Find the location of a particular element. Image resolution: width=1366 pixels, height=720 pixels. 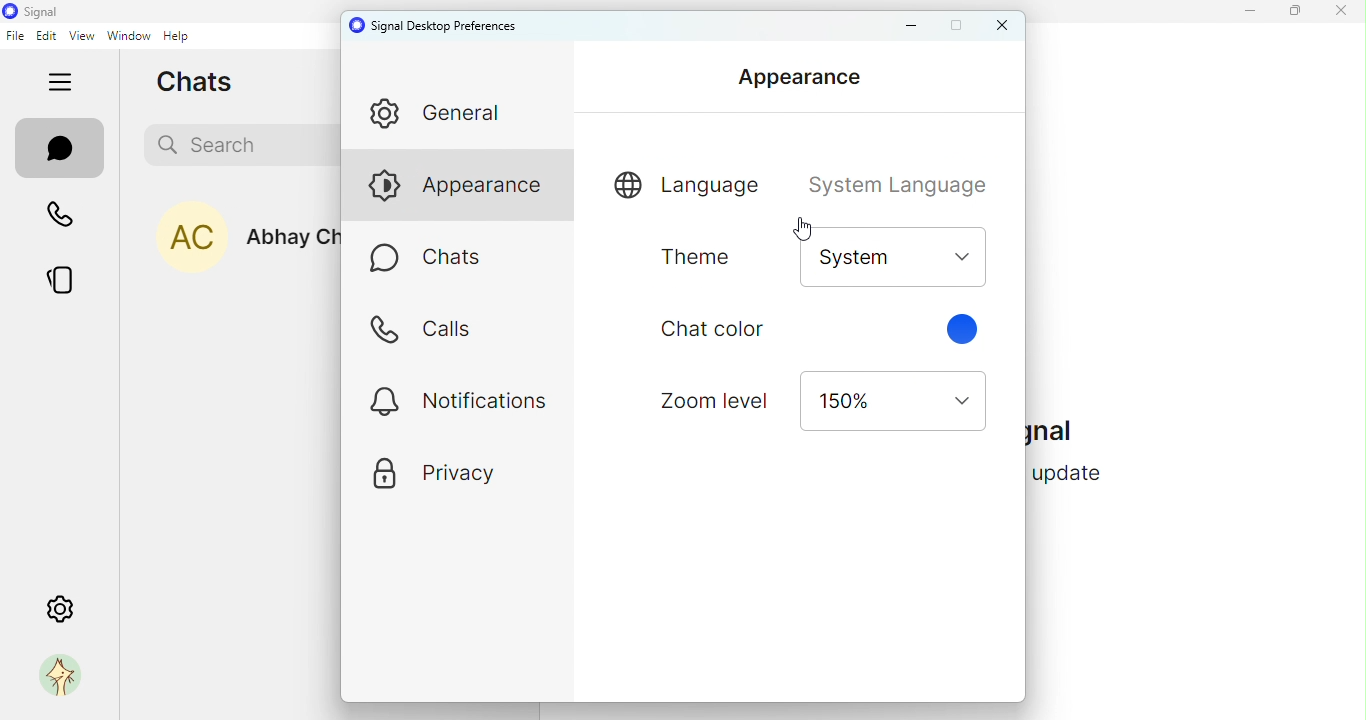

maximize is located at coordinates (957, 25).